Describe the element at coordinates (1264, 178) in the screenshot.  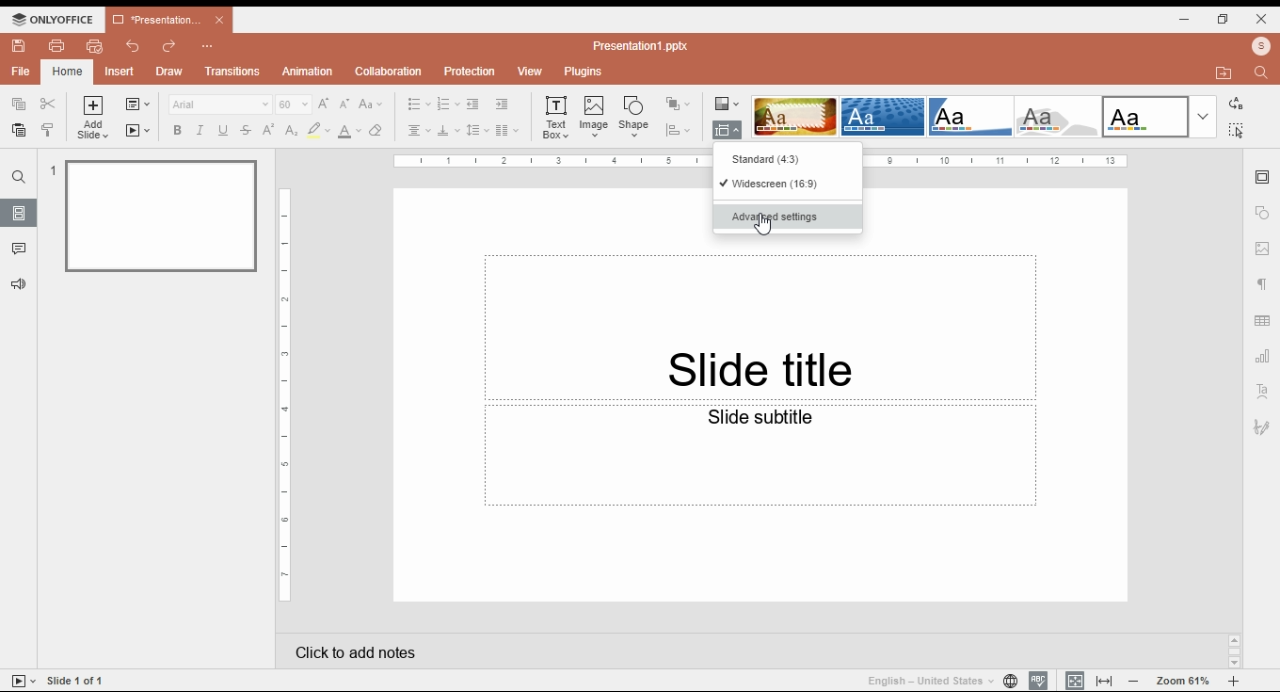
I see `slide settings` at that location.